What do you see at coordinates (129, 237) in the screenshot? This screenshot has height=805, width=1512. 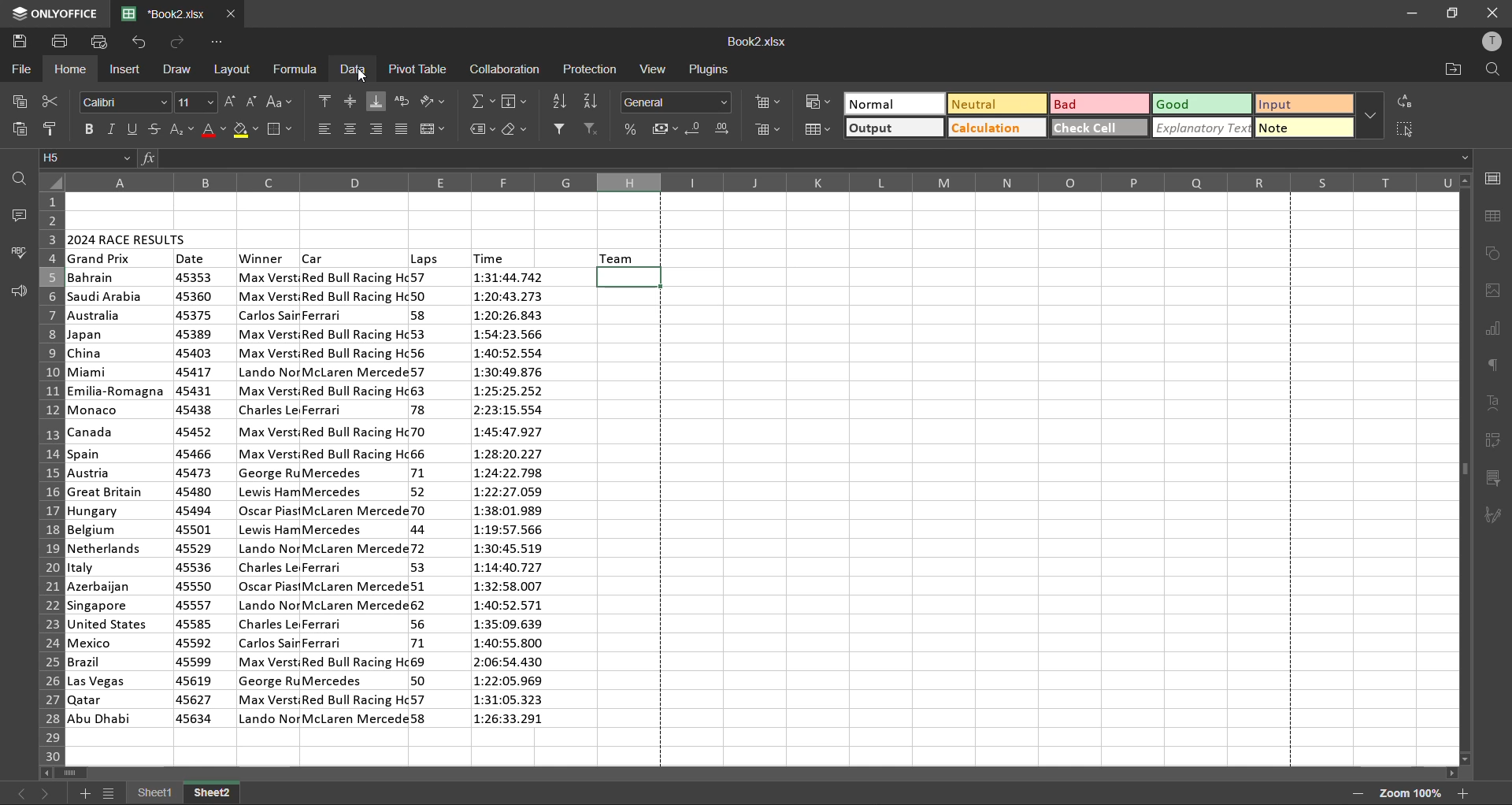 I see `2024 race results` at bounding box center [129, 237].